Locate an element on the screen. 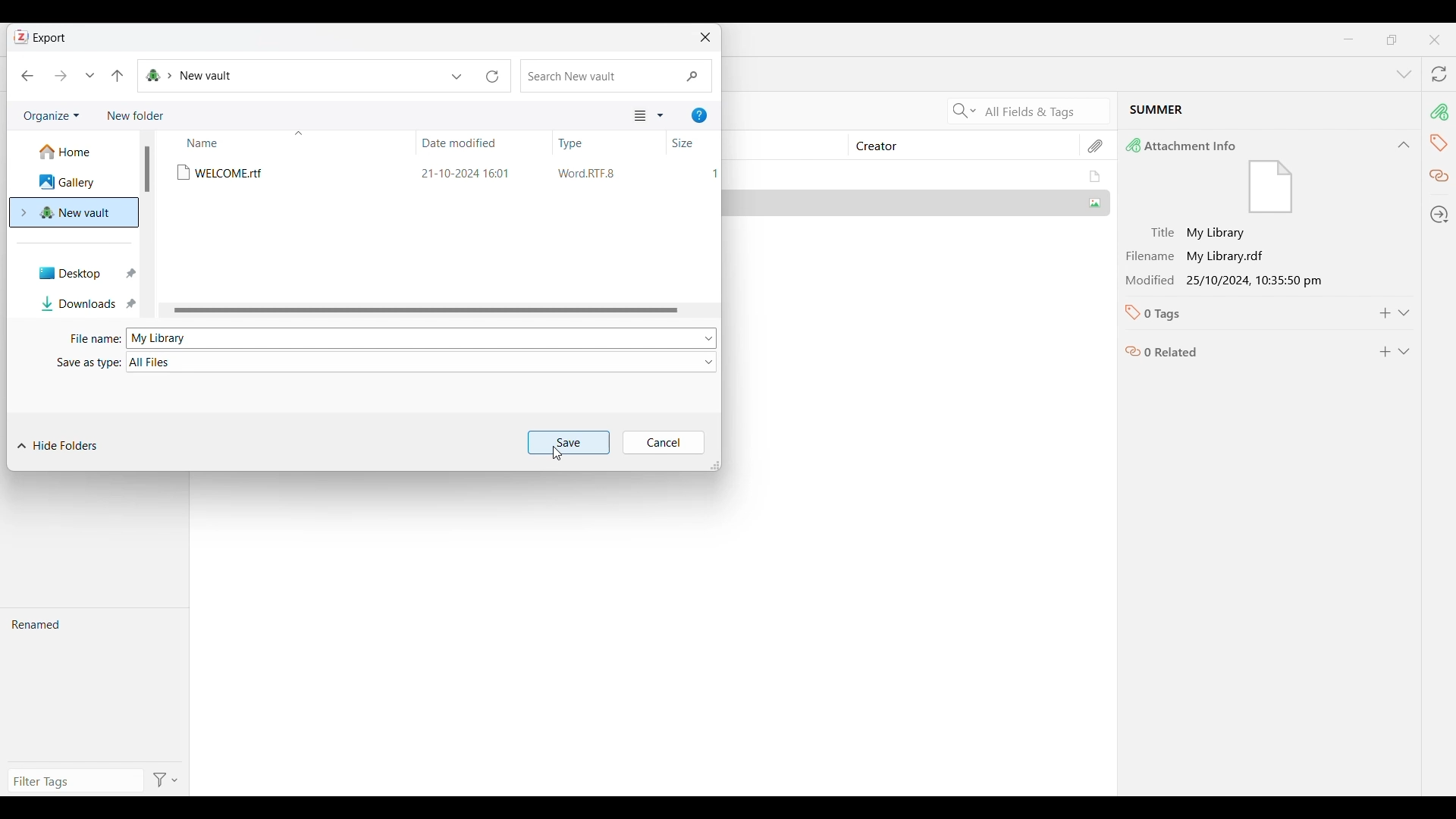 The height and width of the screenshot is (819, 1456). Type filter tag is located at coordinates (73, 781).